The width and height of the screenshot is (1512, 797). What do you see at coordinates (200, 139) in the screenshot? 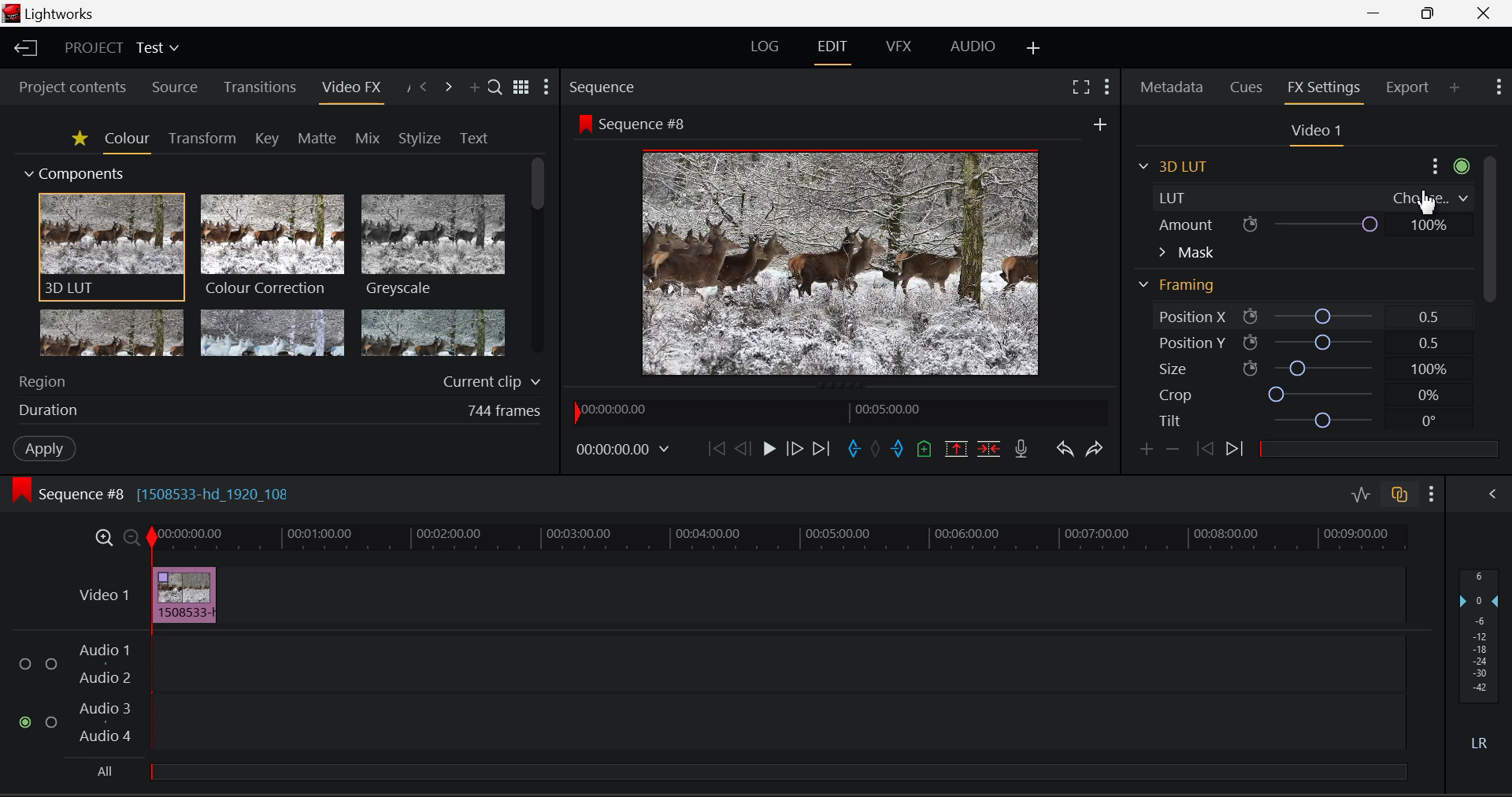
I see `Transform` at bounding box center [200, 139].